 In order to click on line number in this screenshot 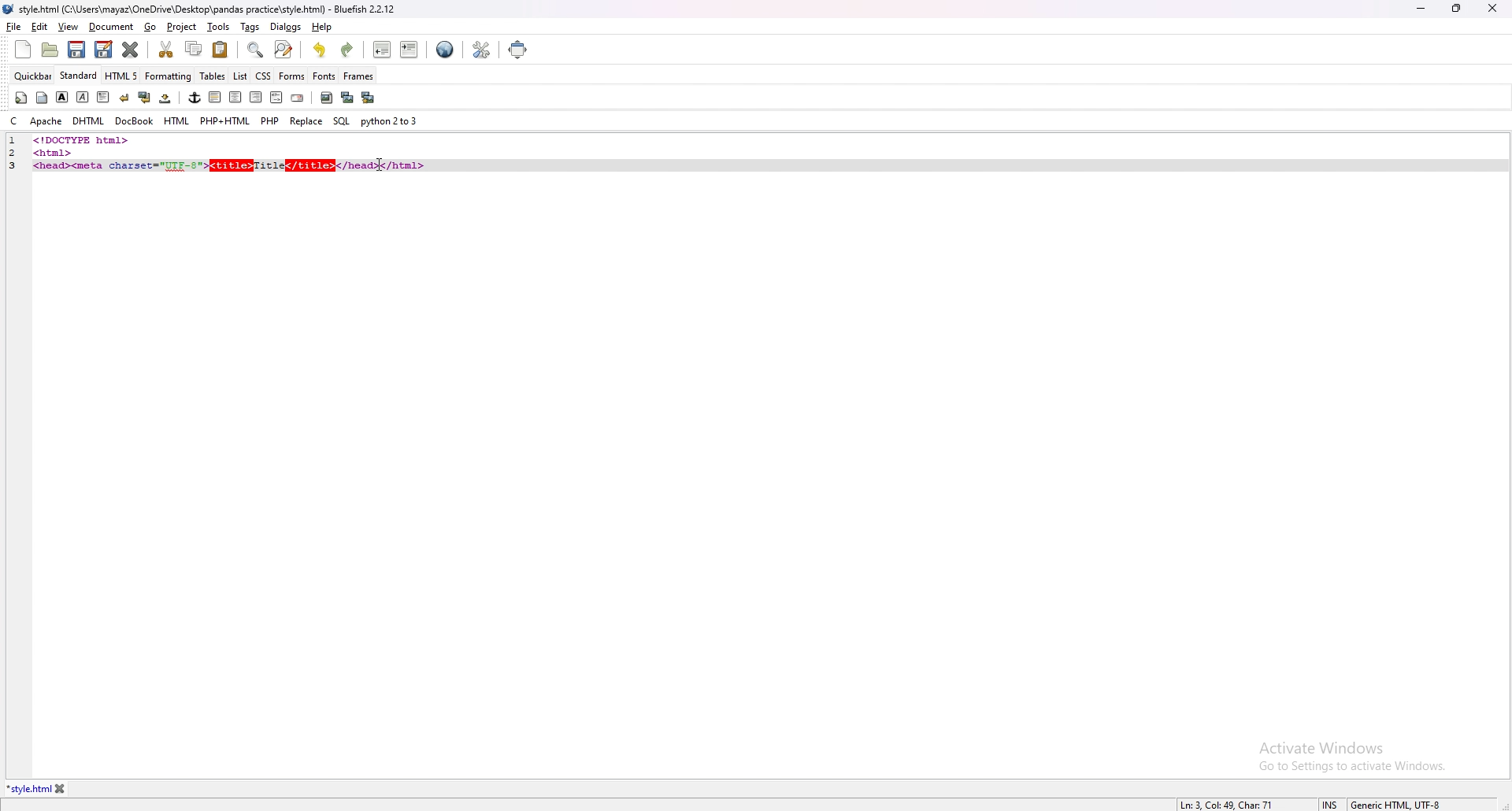, I will do `click(18, 152)`.